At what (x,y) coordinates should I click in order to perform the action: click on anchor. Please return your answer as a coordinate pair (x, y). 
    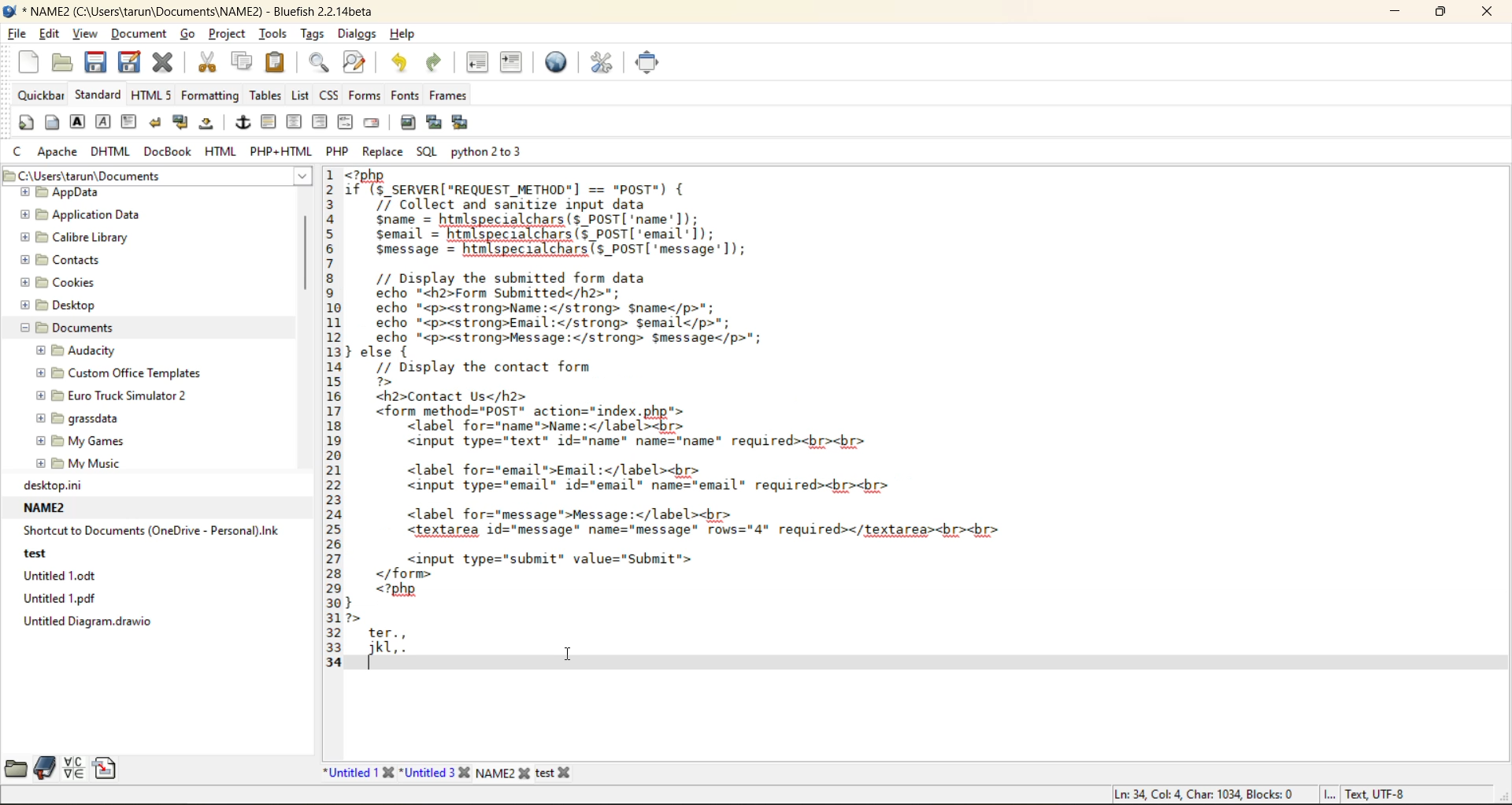
    Looking at the image, I should click on (245, 124).